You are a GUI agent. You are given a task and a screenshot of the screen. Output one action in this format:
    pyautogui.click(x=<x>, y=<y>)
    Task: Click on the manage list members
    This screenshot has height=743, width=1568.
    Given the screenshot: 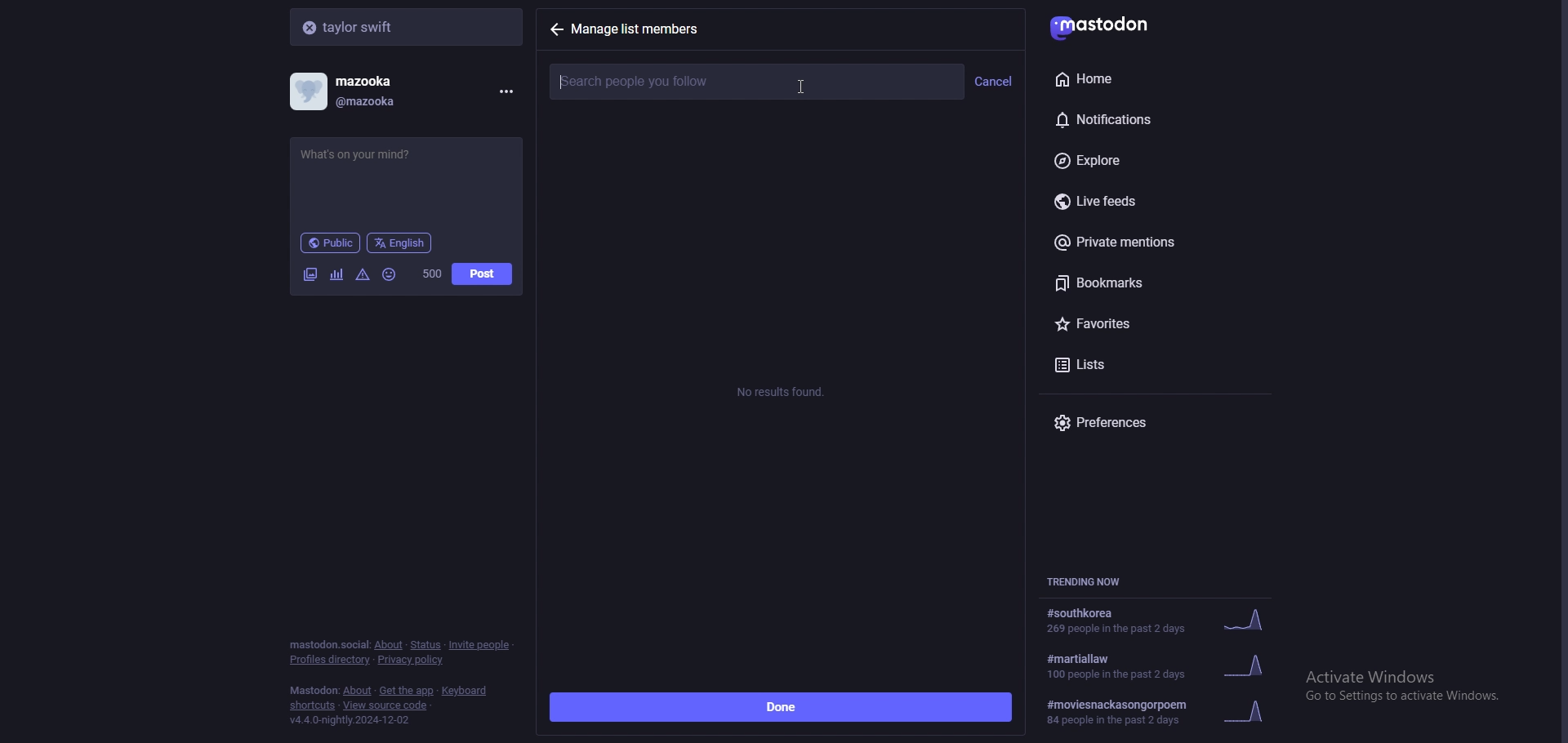 What is the action you would take?
    pyautogui.click(x=644, y=29)
    